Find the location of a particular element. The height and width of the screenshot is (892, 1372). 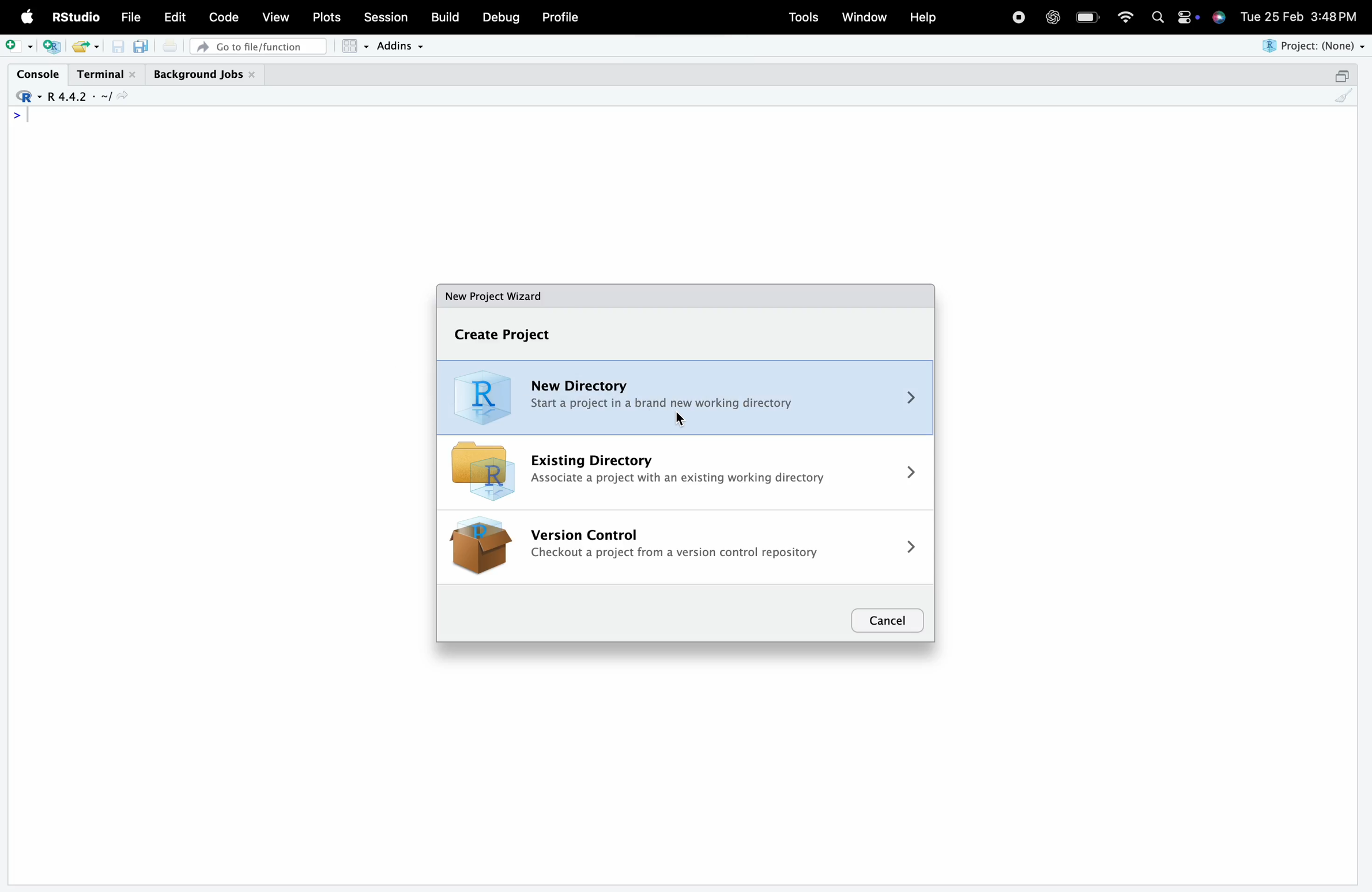

Build is located at coordinates (444, 17).